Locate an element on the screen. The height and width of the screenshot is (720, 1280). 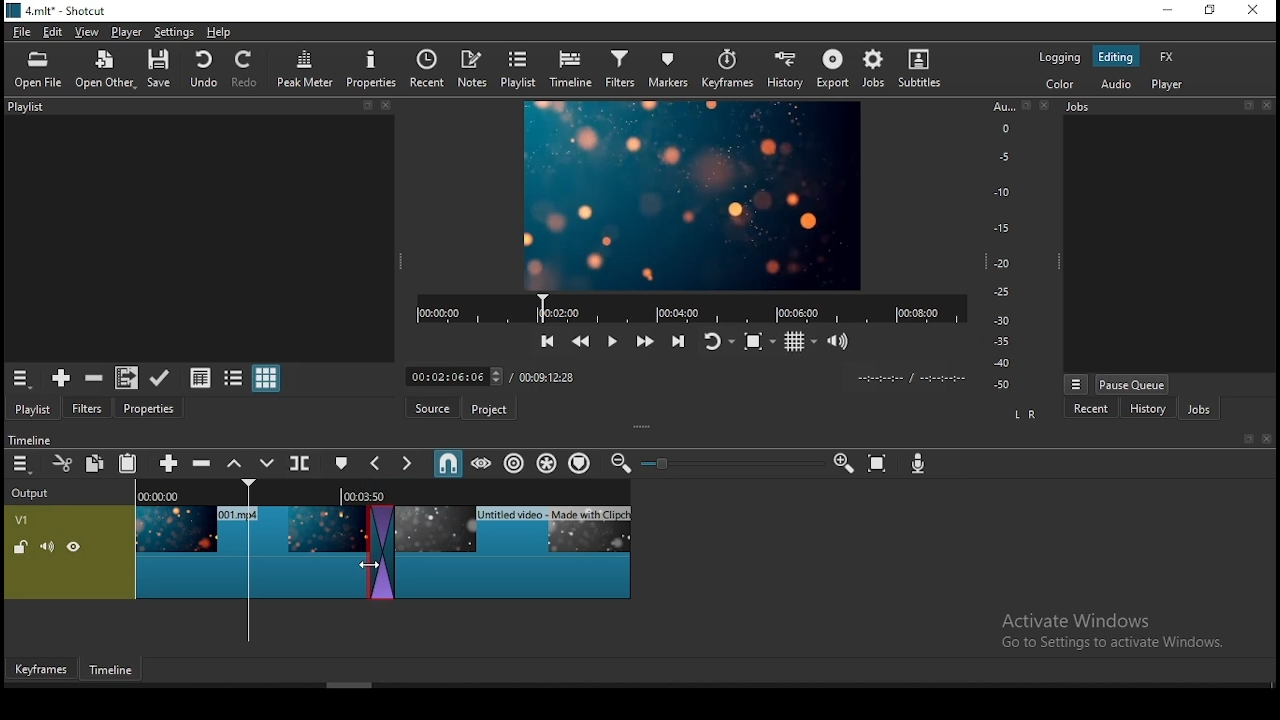
play/pause is located at coordinates (613, 338).